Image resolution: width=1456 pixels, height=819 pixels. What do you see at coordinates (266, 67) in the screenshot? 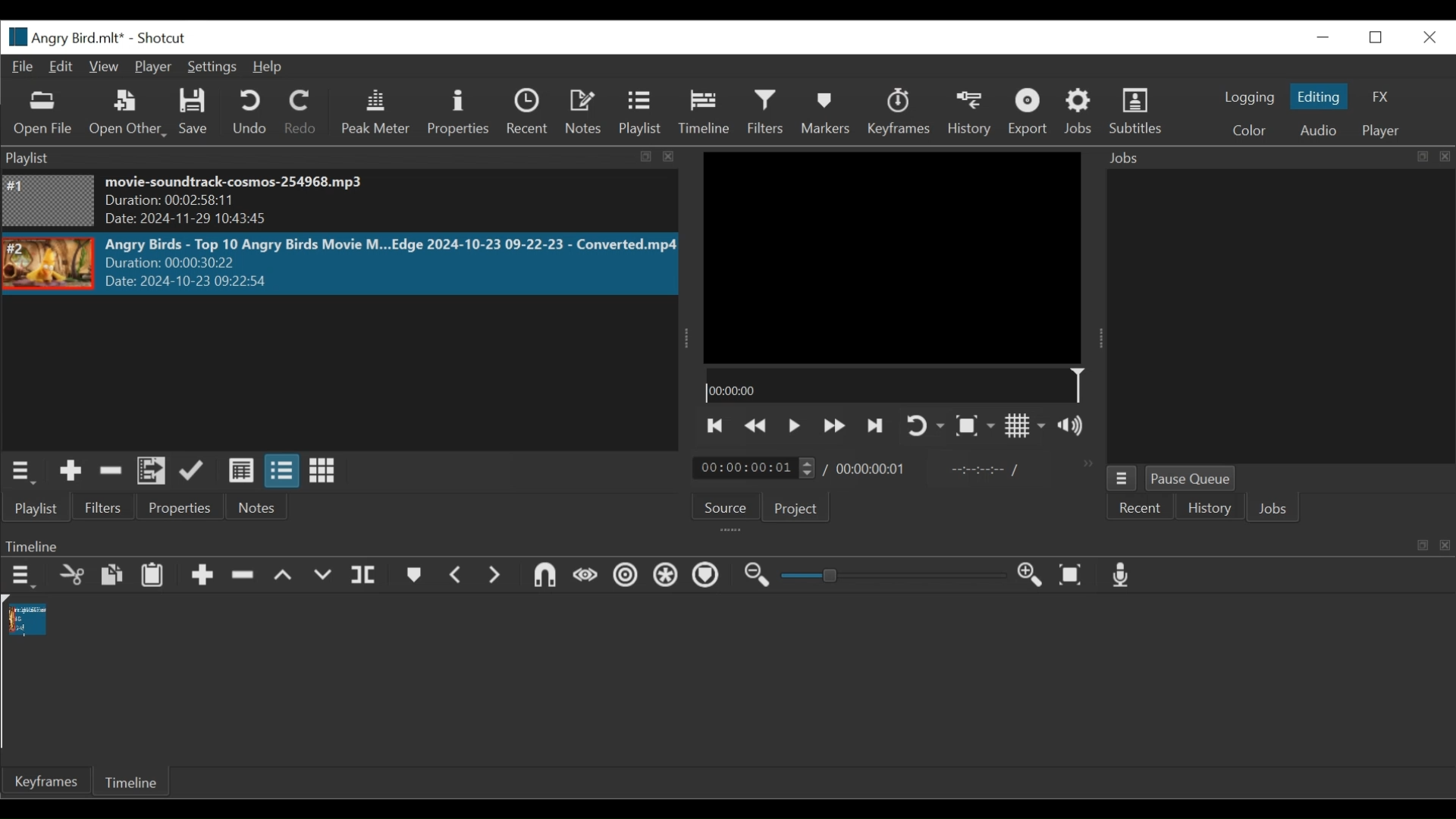
I see `Help` at bounding box center [266, 67].